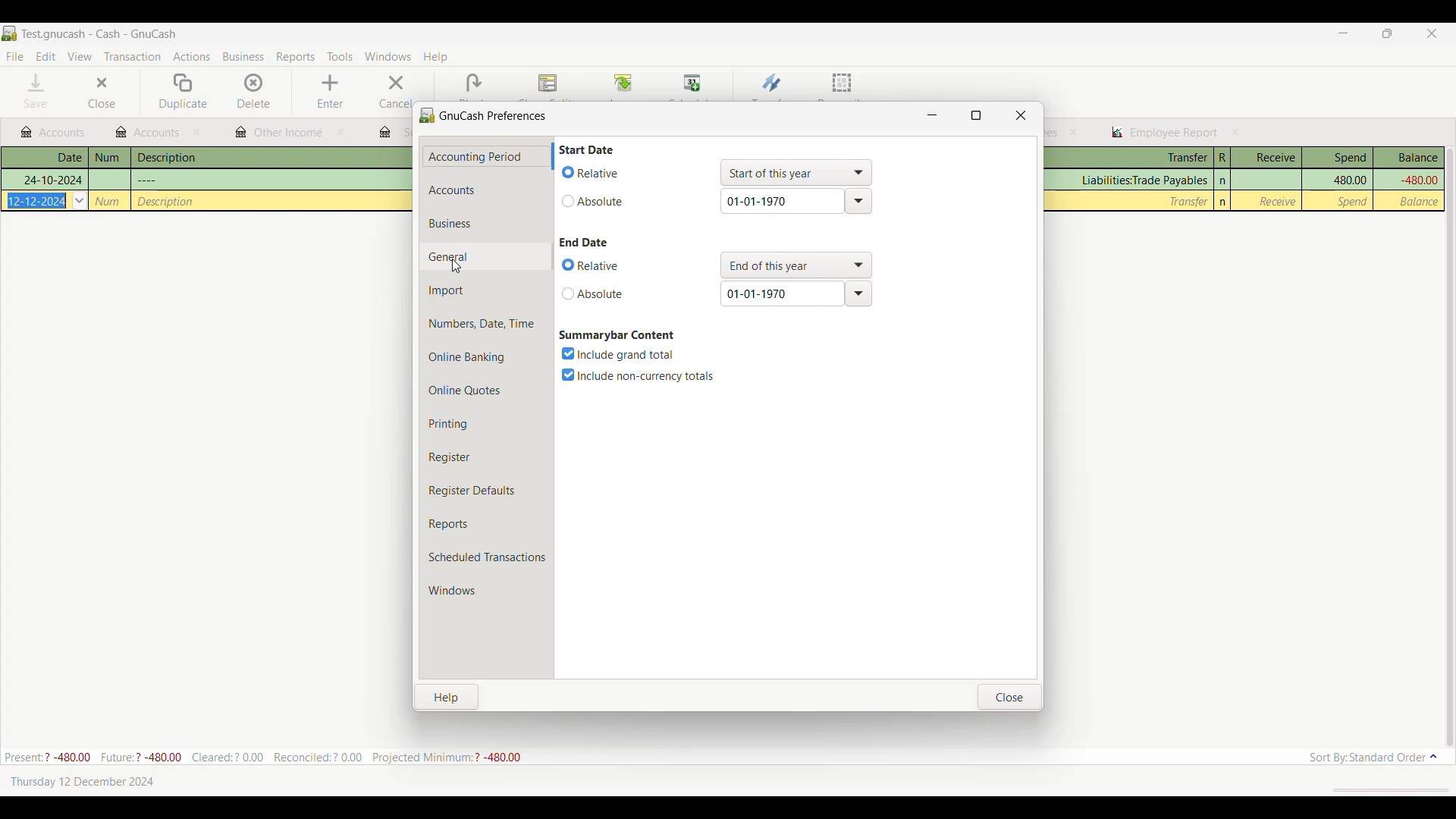 The image size is (1456, 819). What do you see at coordinates (485, 223) in the screenshot?
I see `Business` at bounding box center [485, 223].